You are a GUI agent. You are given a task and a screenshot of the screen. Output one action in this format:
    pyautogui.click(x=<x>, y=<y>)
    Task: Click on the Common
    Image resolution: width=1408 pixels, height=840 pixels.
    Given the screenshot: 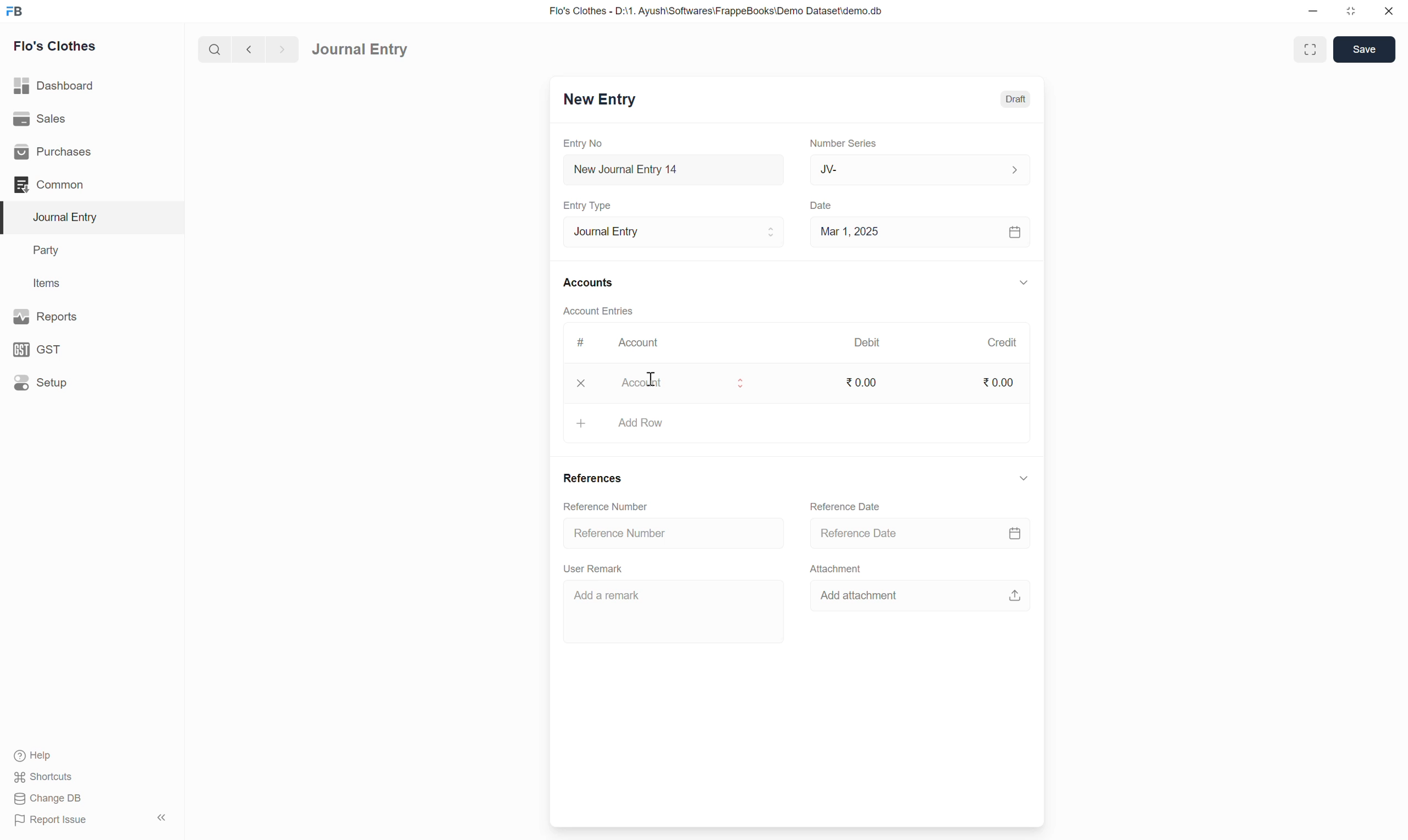 What is the action you would take?
    pyautogui.click(x=50, y=185)
    